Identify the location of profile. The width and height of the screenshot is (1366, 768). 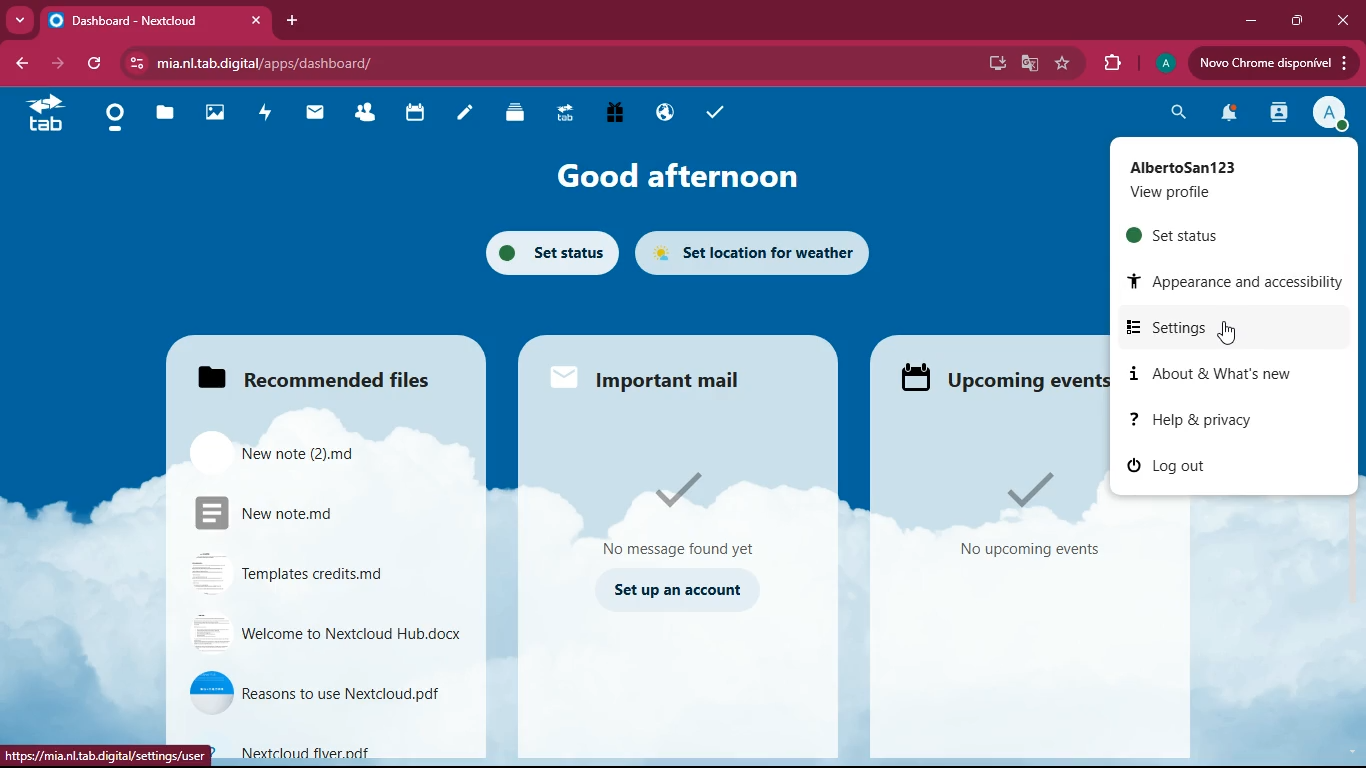
(1161, 64).